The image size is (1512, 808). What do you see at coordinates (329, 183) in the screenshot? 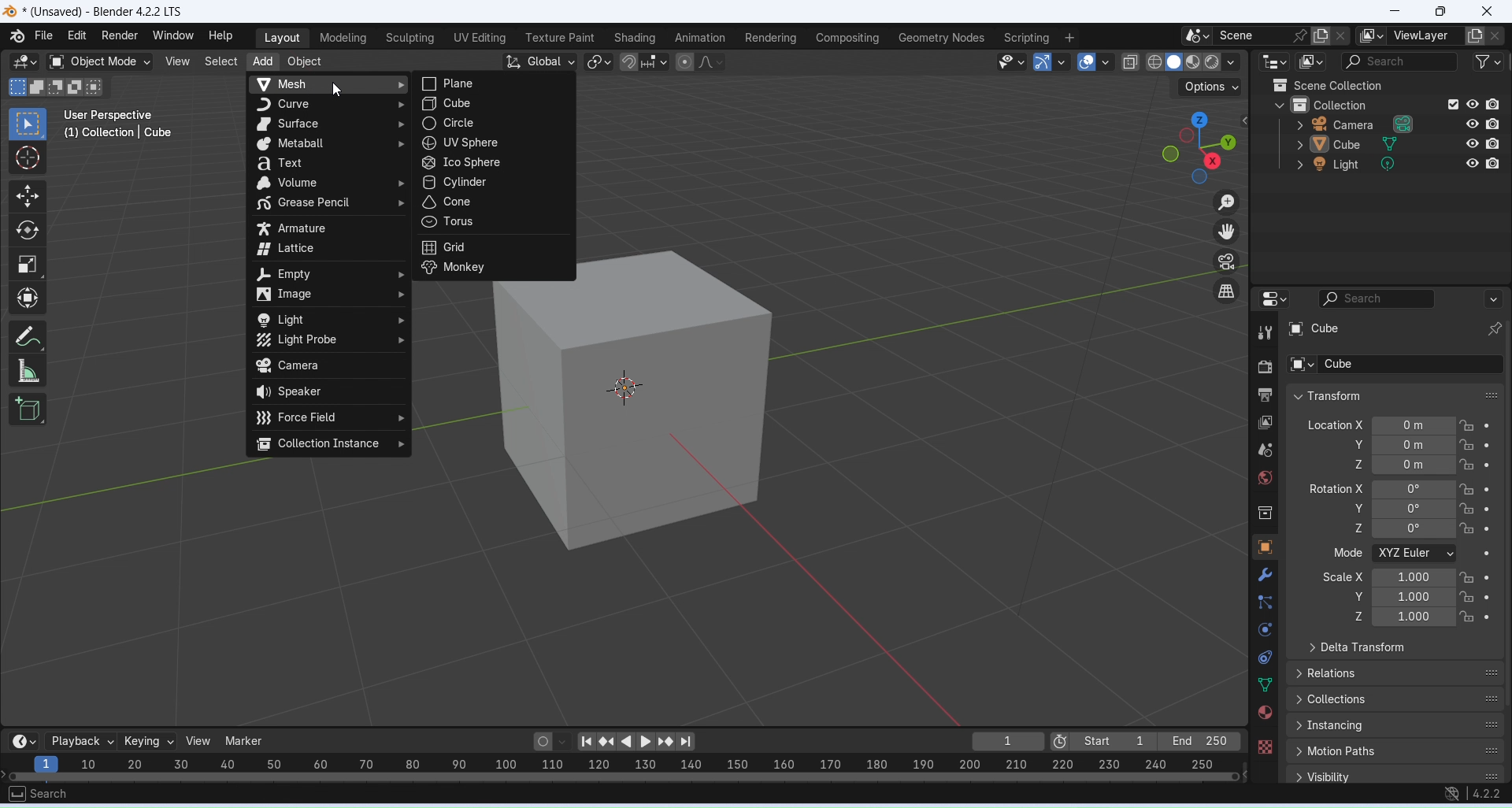
I see `volume` at bounding box center [329, 183].